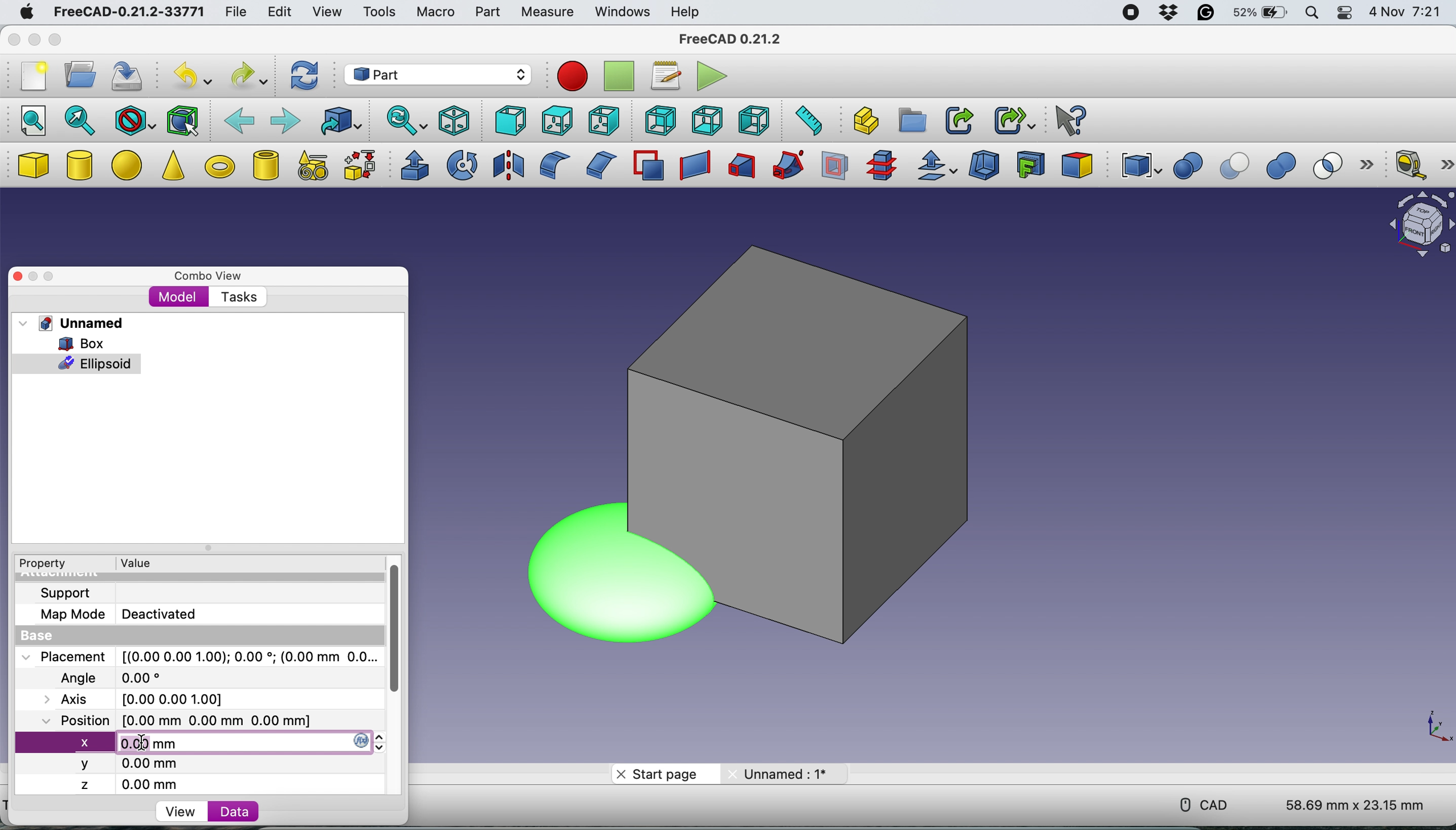  Describe the element at coordinates (63, 593) in the screenshot. I see `support` at that location.